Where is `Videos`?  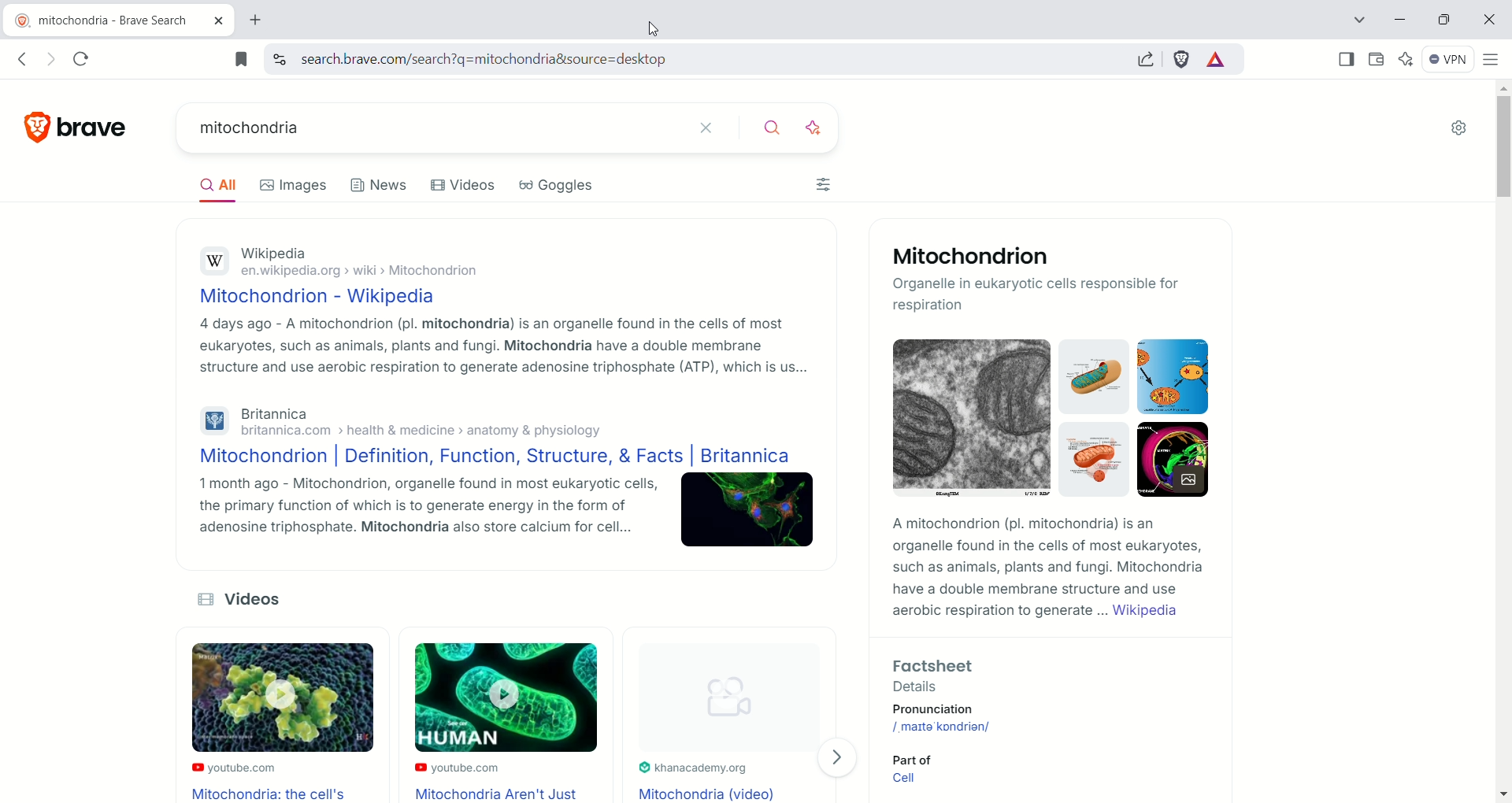 Videos is located at coordinates (254, 599).